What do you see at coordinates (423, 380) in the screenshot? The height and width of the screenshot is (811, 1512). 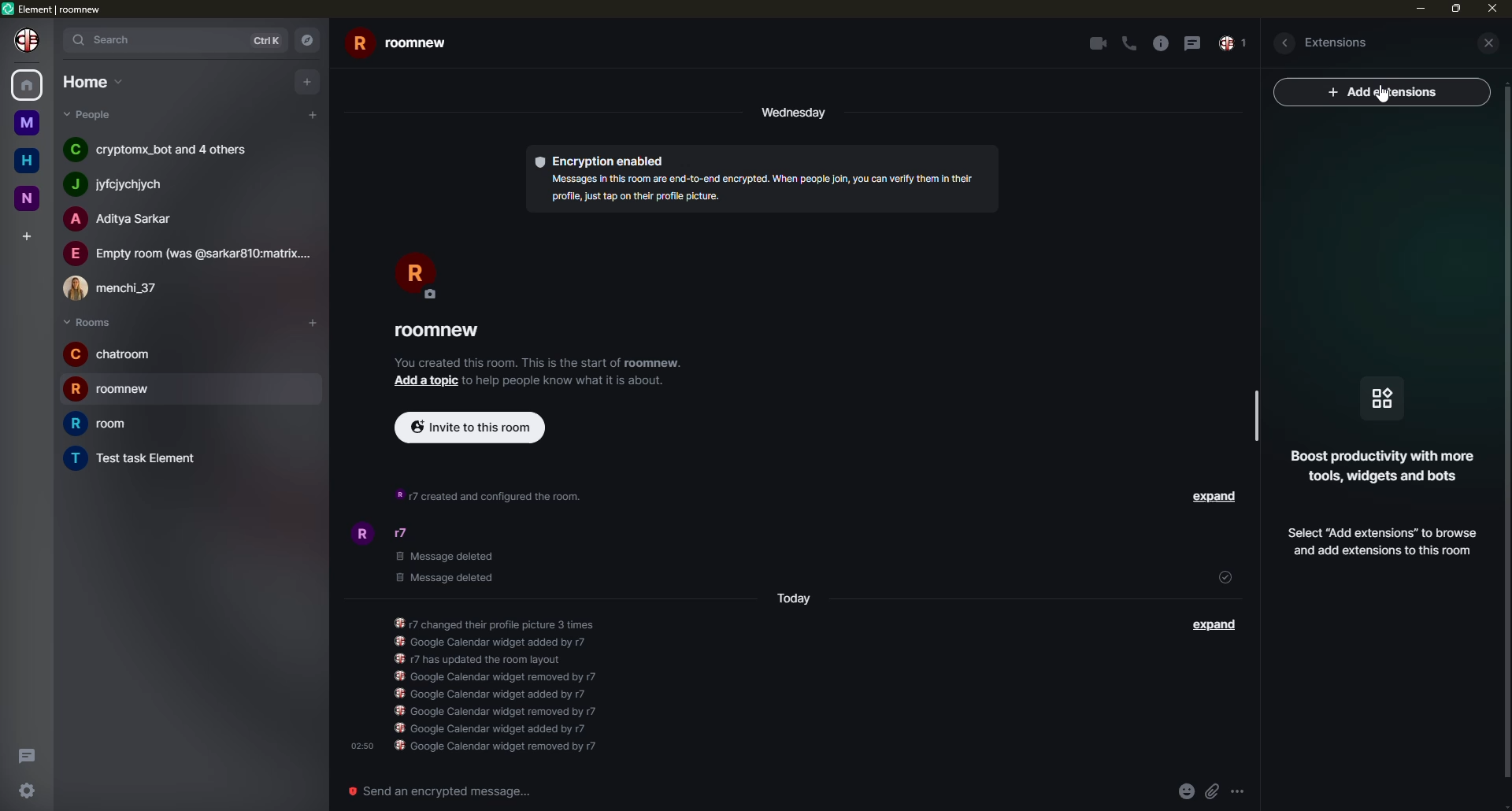 I see `add` at bounding box center [423, 380].